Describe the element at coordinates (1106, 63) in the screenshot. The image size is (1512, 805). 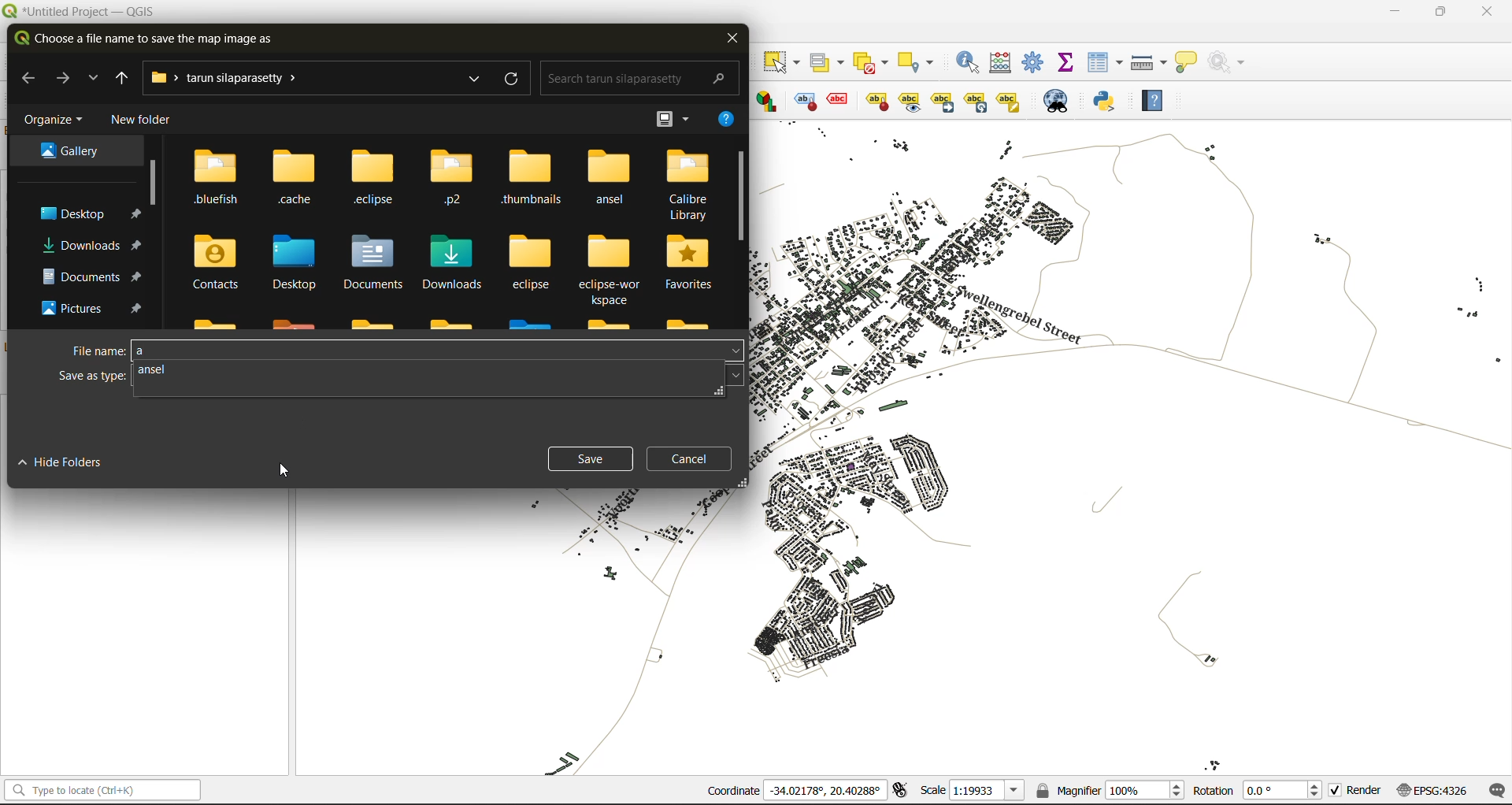
I see `attributes table` at that location.